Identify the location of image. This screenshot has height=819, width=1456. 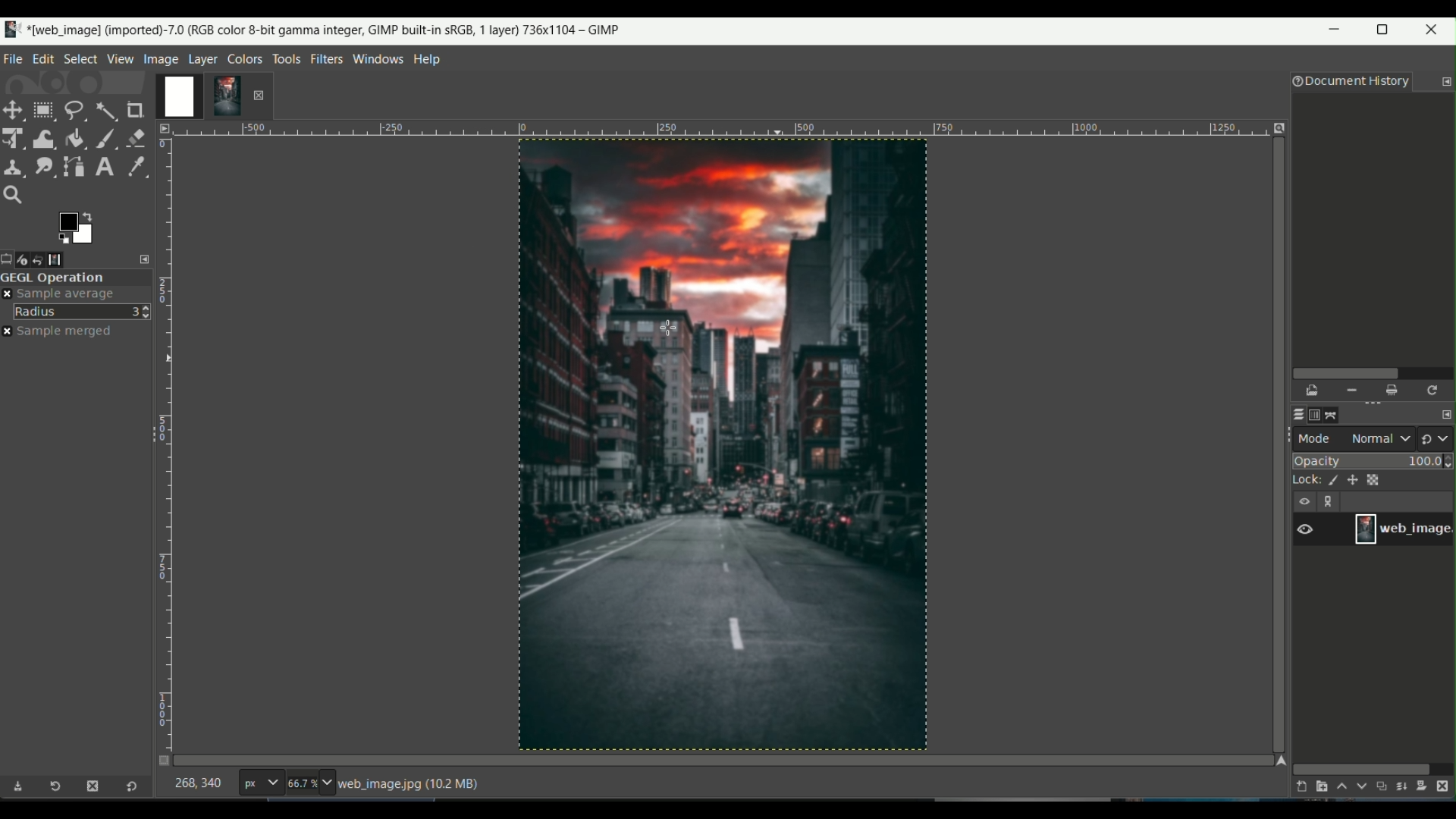
(721, 447).